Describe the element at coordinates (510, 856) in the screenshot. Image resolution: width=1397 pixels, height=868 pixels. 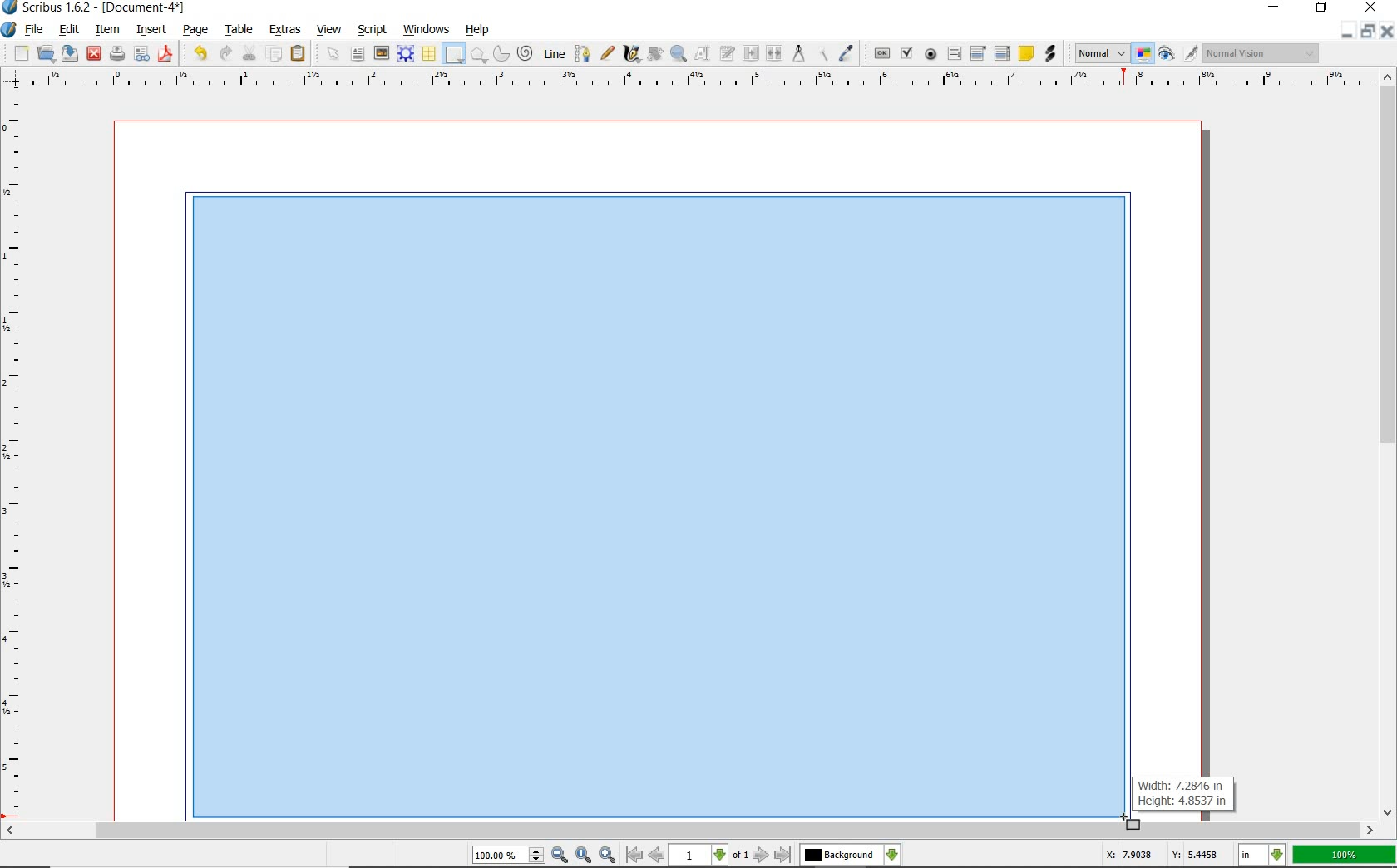
I see `100.00%` at that location.